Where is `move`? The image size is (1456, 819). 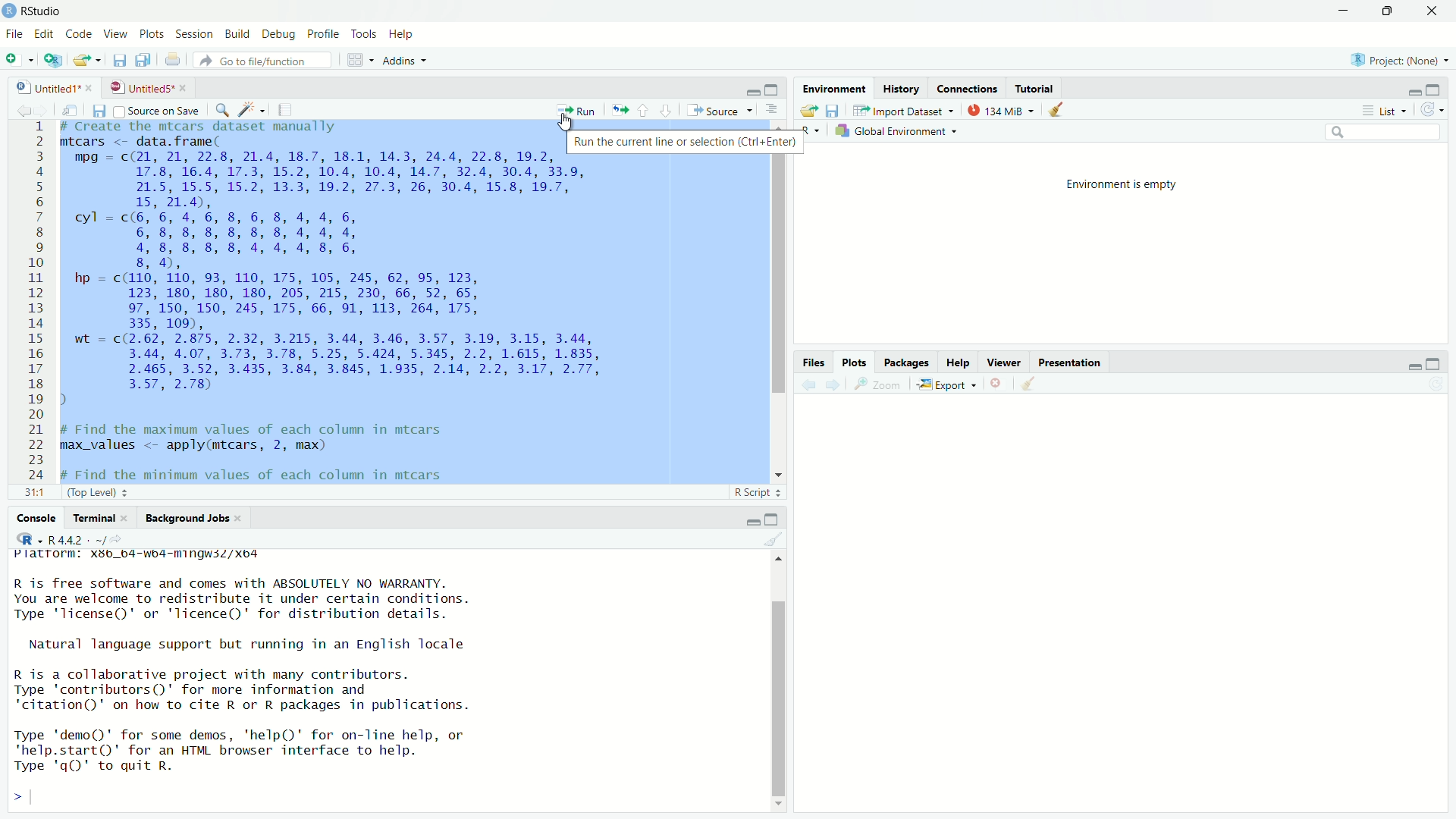 move is located at coordinates (619, 107).